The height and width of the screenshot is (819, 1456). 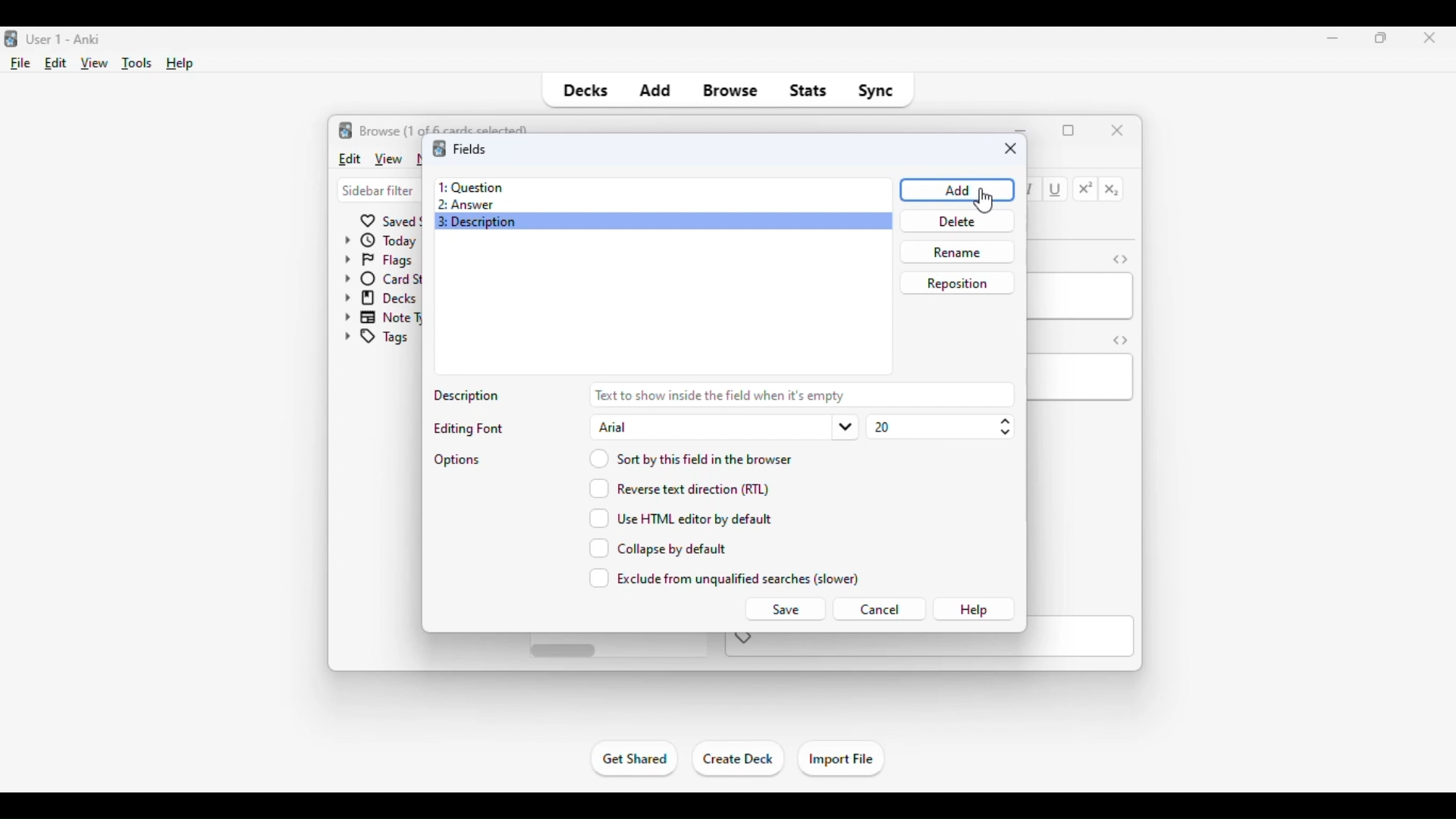 I want to click on view, so click(x=388, y=158).